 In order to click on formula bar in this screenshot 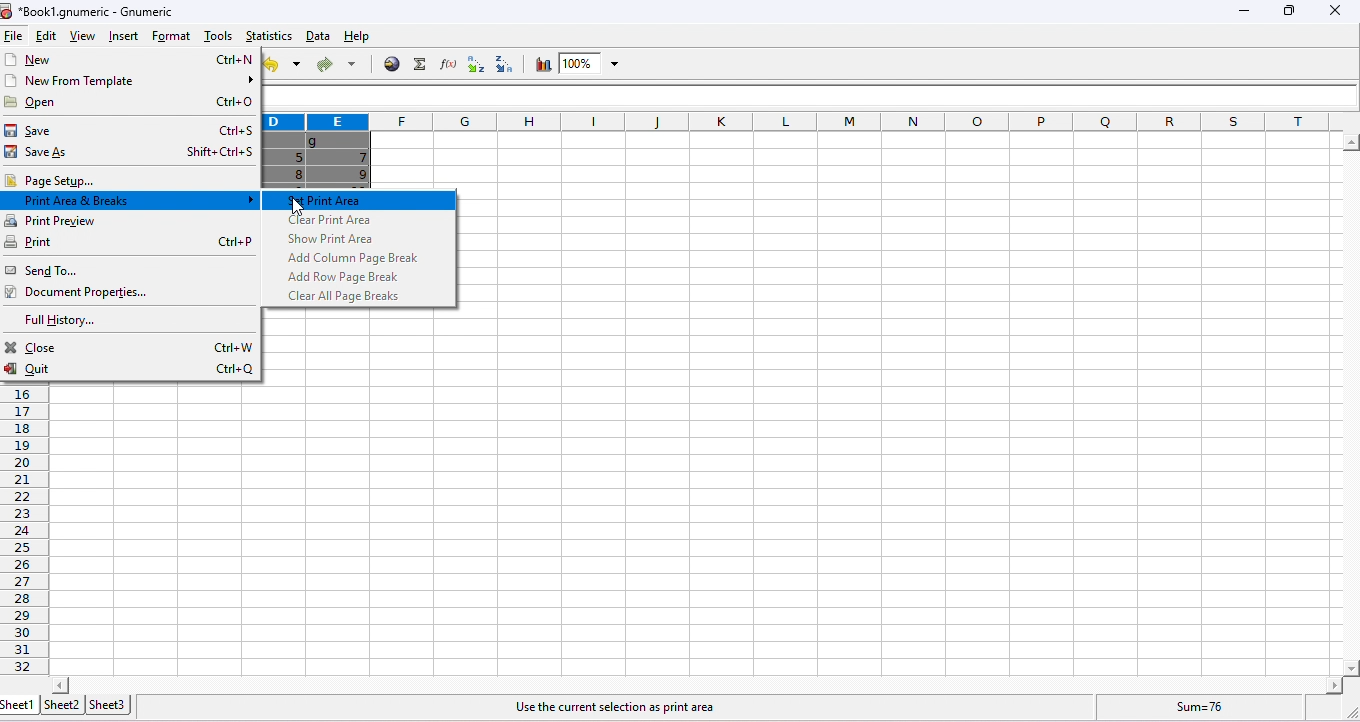, I will do `click(813, 96)`.